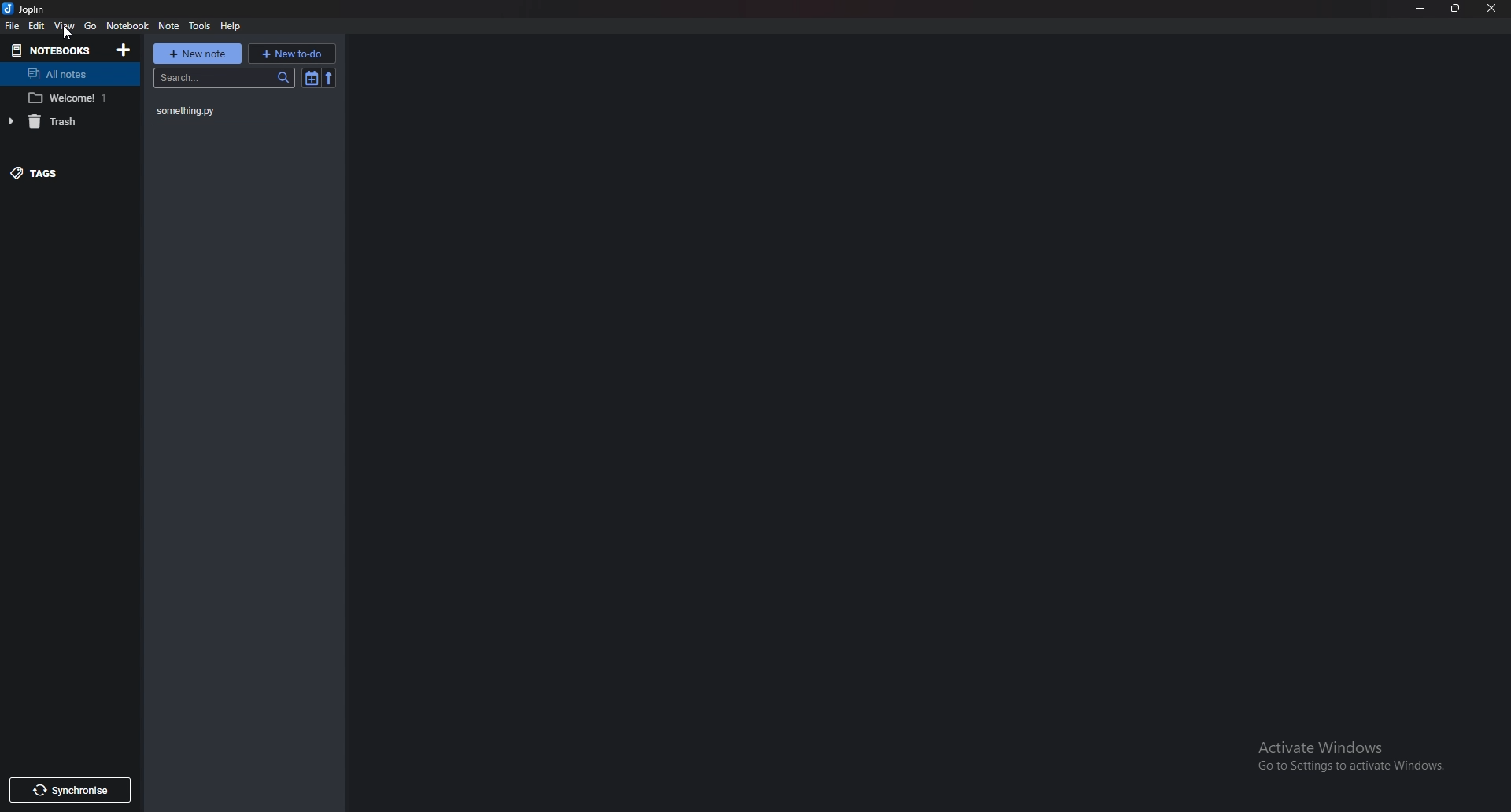  Describe the element at coordinates (1423, 8) in the screenshot. I see `Minimize` at that location.